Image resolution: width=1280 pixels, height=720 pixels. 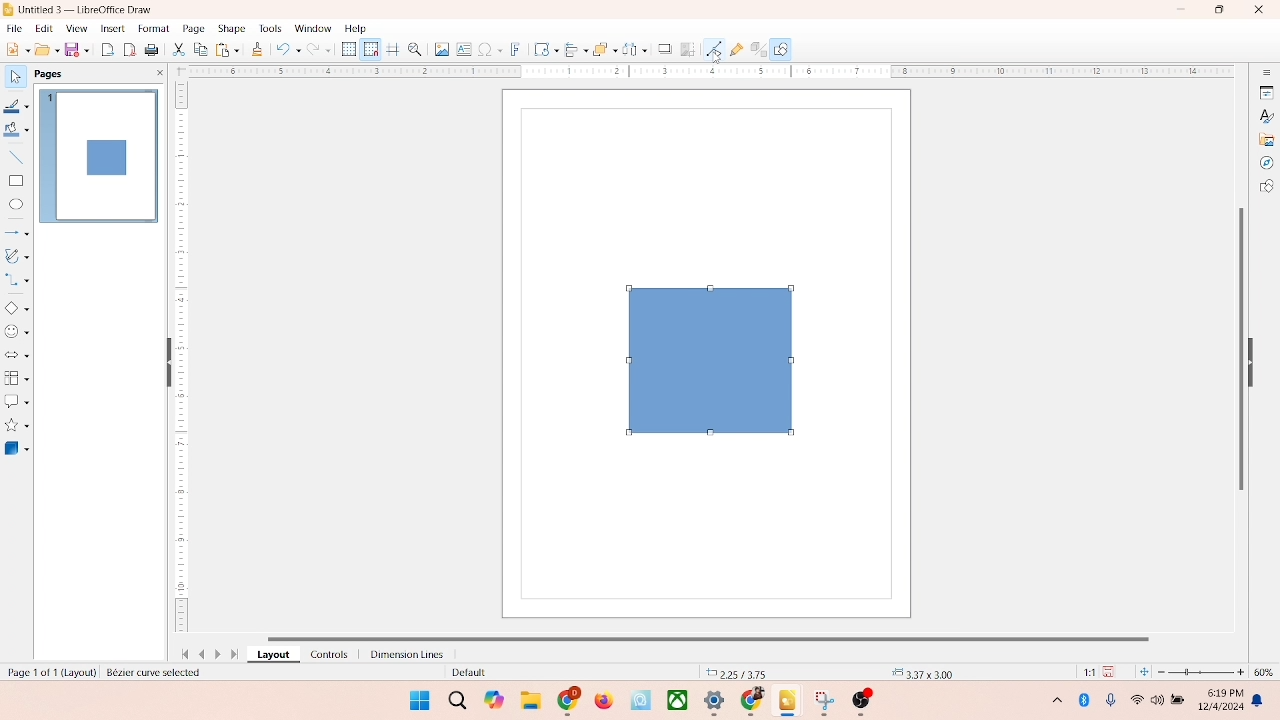 I want to click on select at least three object to distribute, so click(x=630, y=50).